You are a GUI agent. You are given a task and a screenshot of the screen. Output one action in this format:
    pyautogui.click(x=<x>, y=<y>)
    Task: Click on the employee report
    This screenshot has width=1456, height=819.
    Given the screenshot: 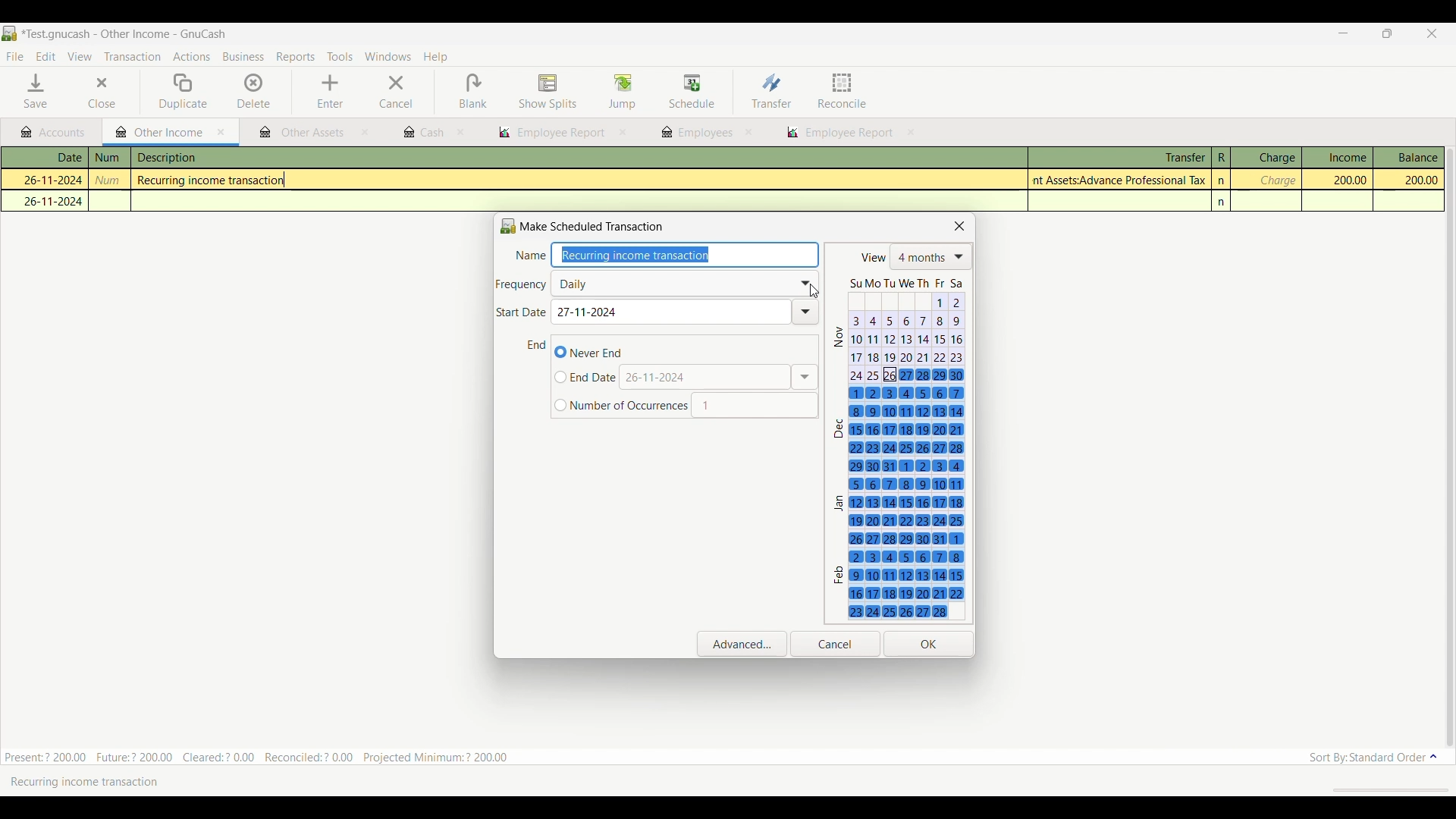 What is the action you would take?
    pyautogui.click(x=848, y=134)
    